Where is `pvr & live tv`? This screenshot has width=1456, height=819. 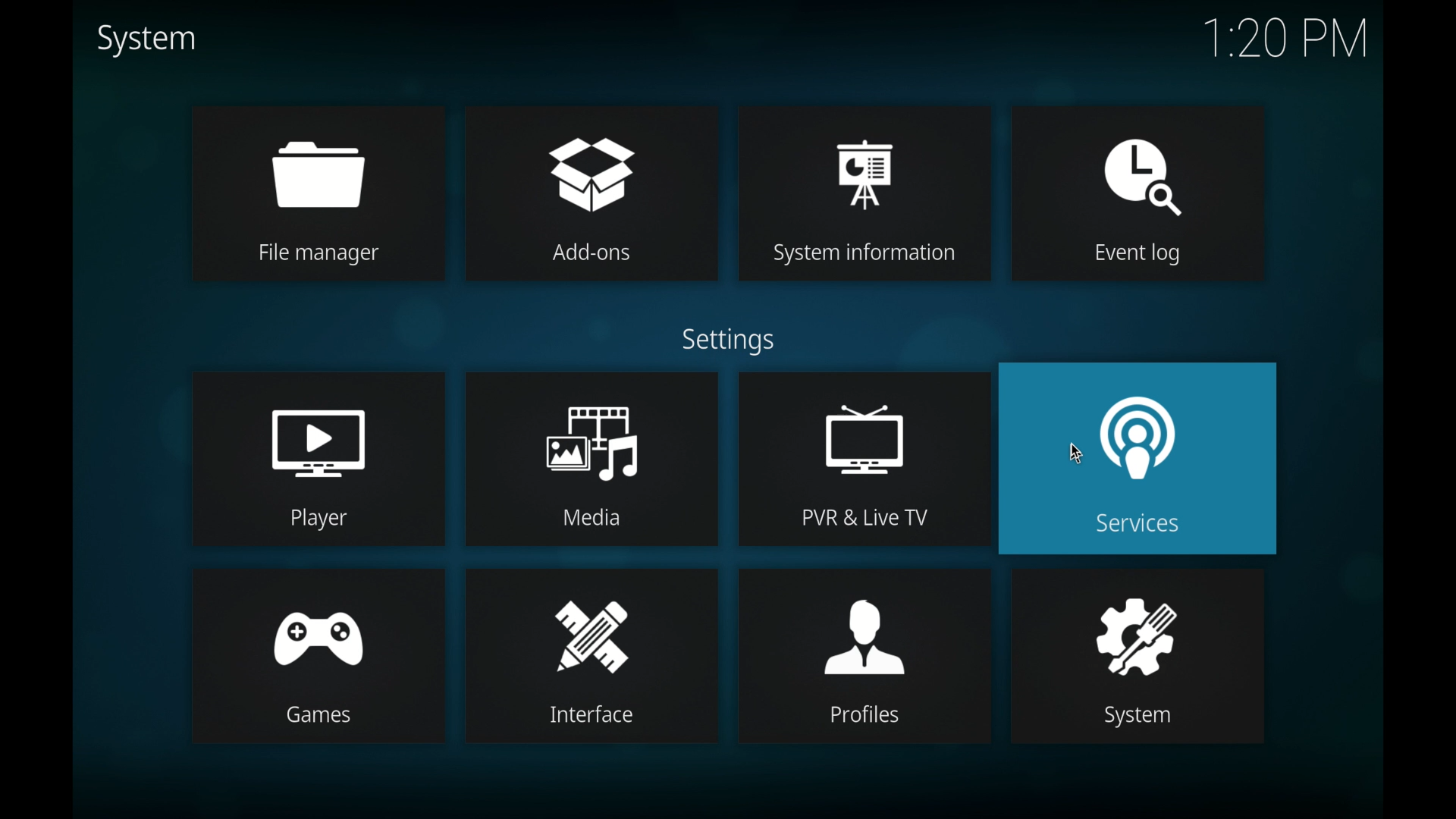 pvr & live tv is located at coordinates (863, 460).